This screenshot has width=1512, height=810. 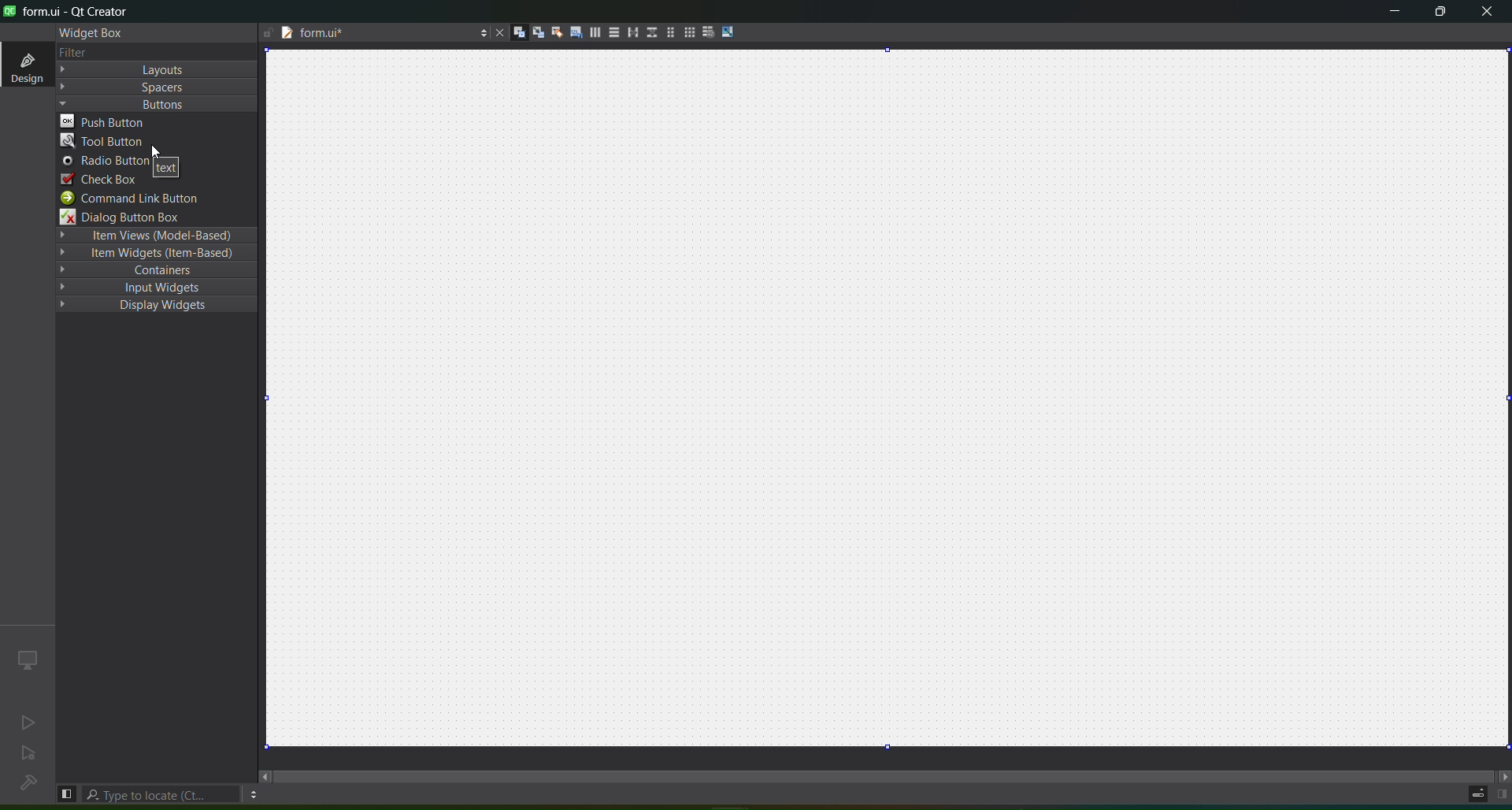 I want to click on move right, so click(x=1503, y=773).